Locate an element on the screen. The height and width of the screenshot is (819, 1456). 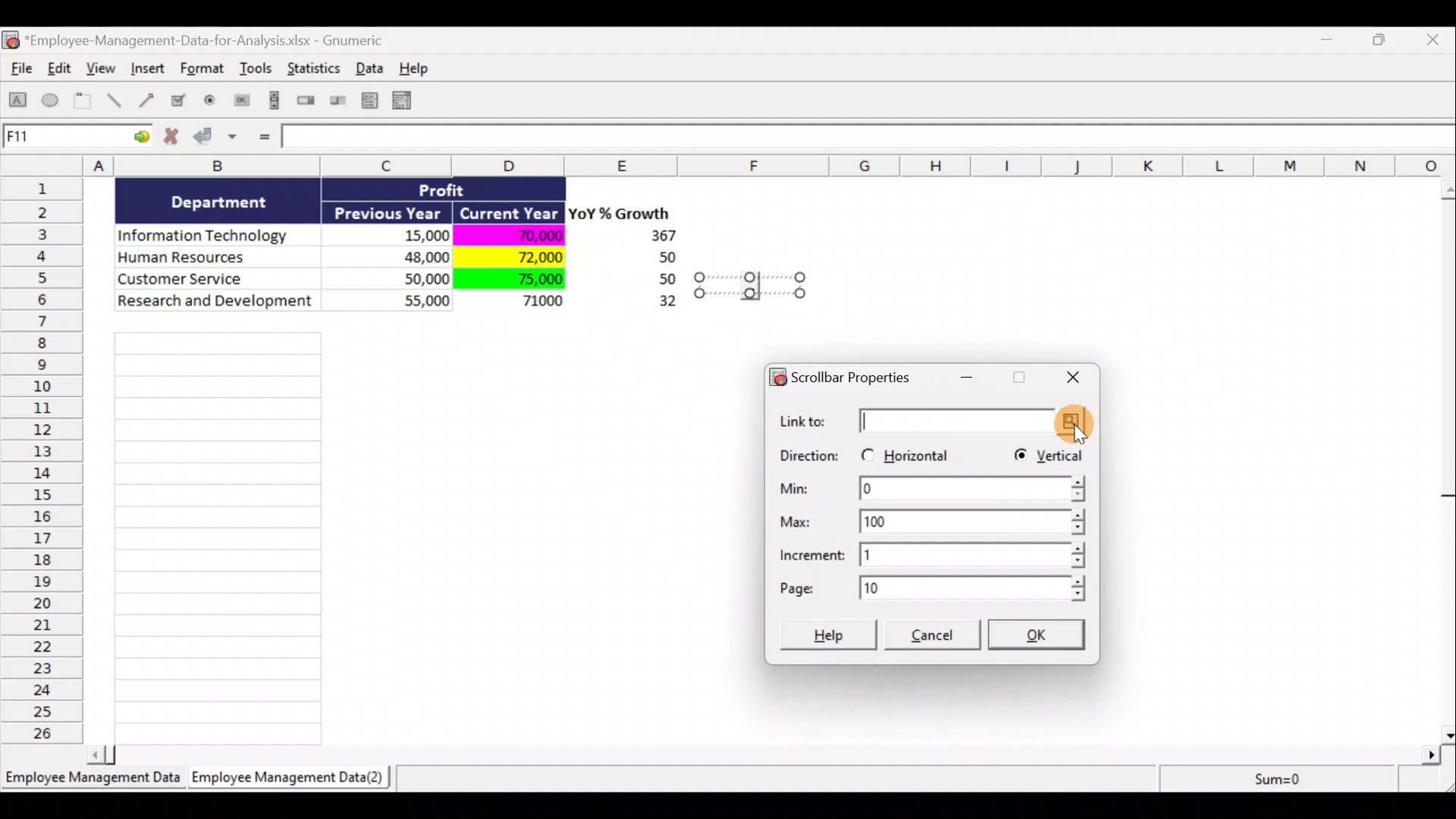
View is located at coordinates (103, 68).